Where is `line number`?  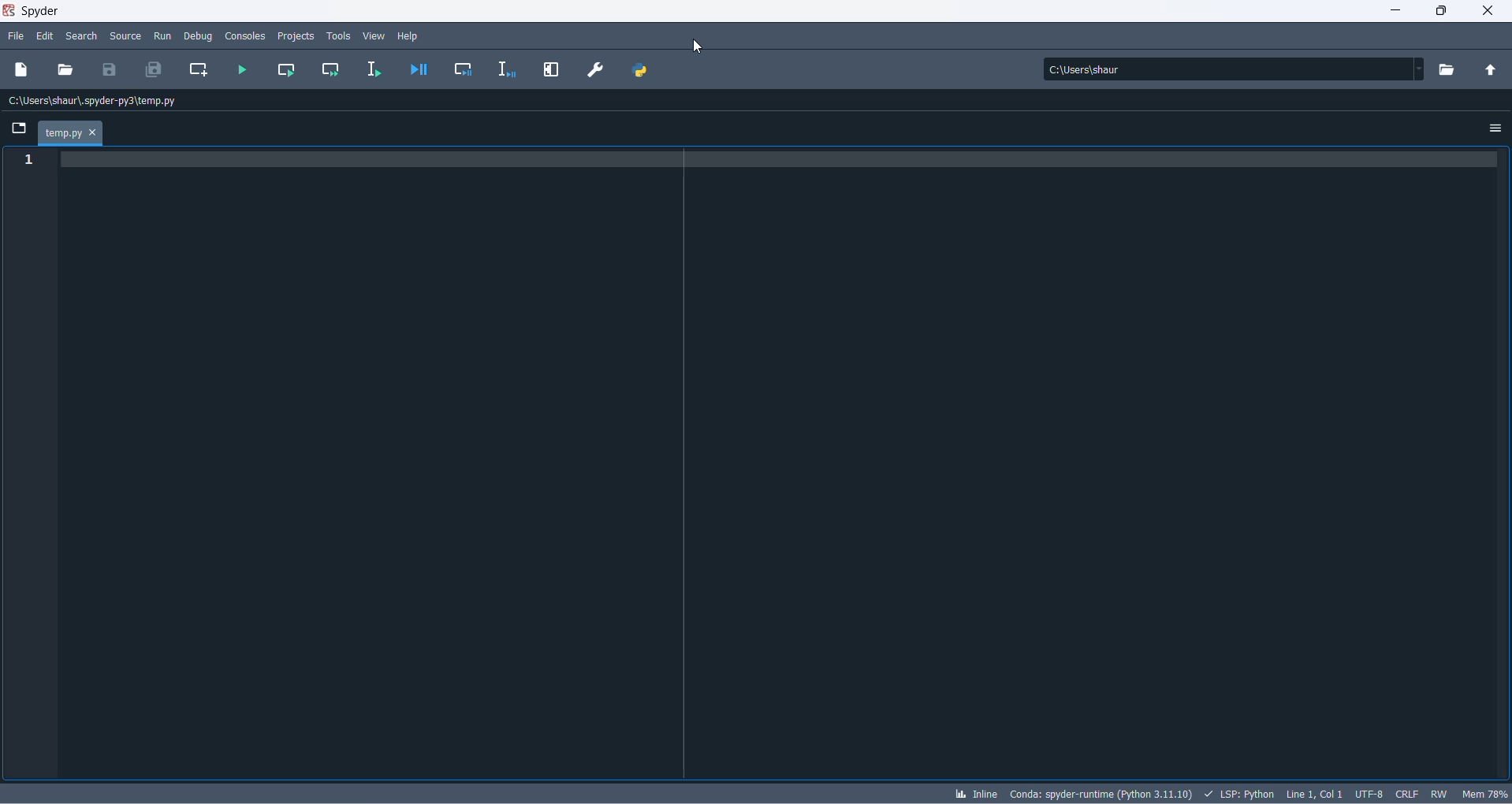 line number is located at coordinates (32, 161).